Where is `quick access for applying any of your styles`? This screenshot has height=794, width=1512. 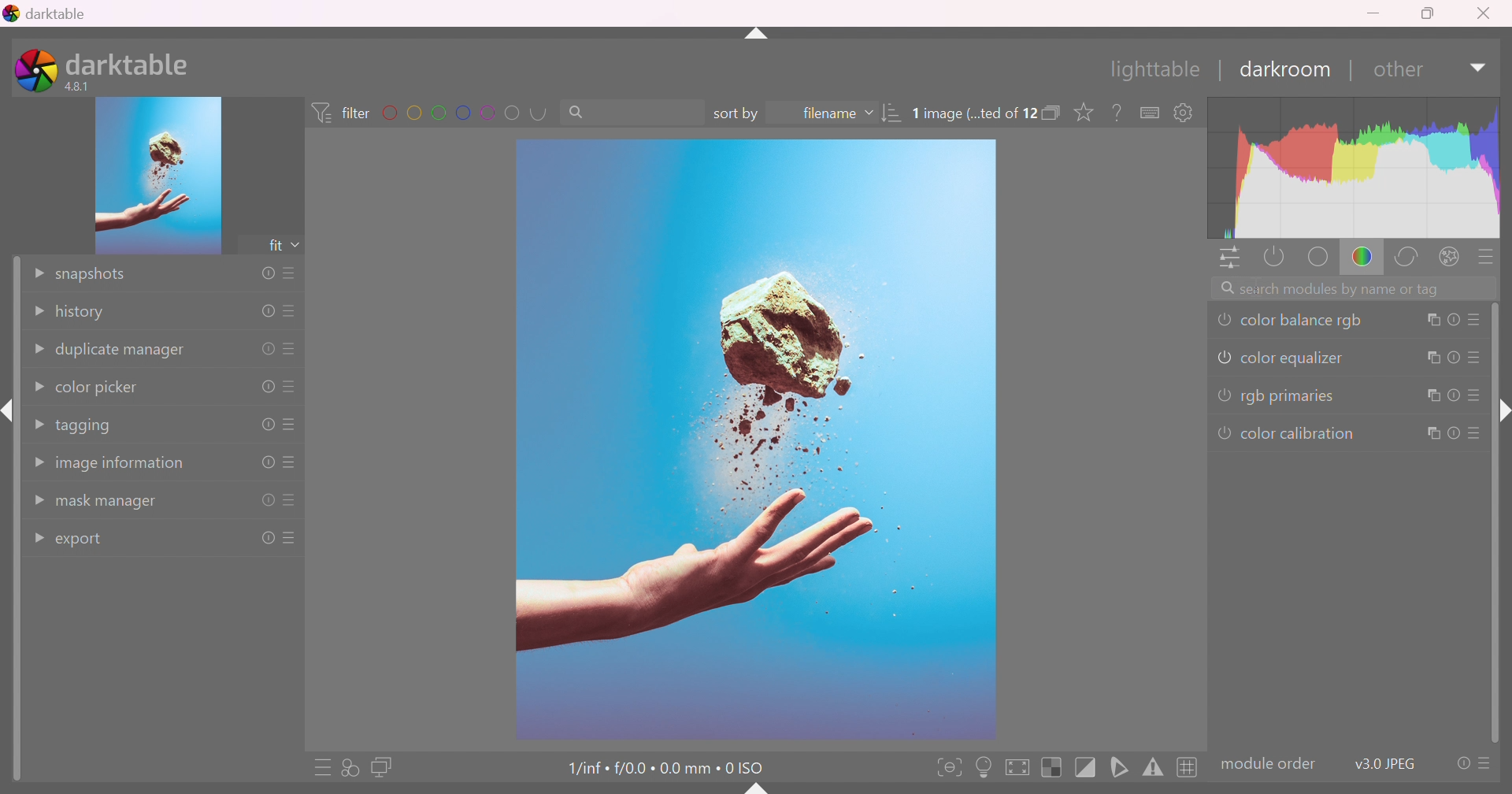 quick access for applying any of your styles is located at coordinates (354, 766).